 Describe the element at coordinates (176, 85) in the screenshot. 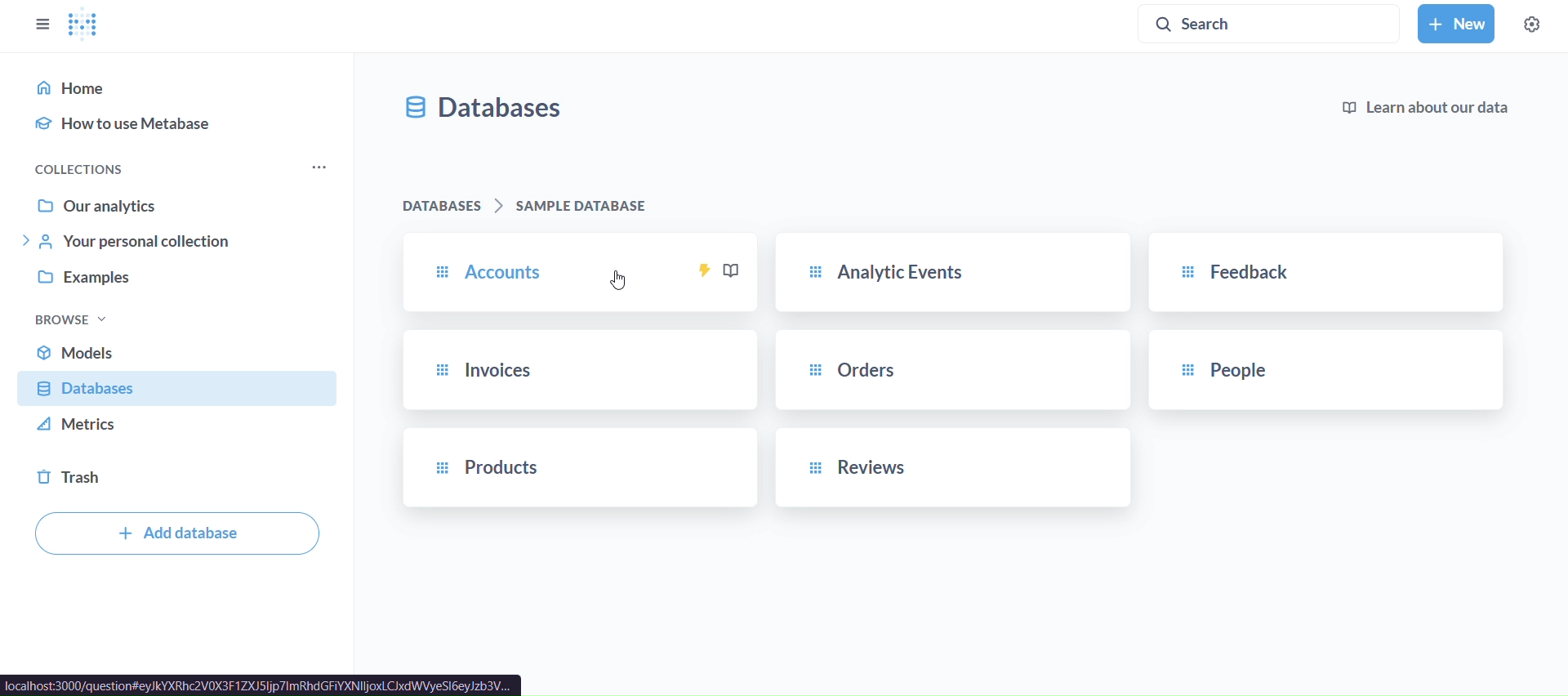

I see `home` at that location.